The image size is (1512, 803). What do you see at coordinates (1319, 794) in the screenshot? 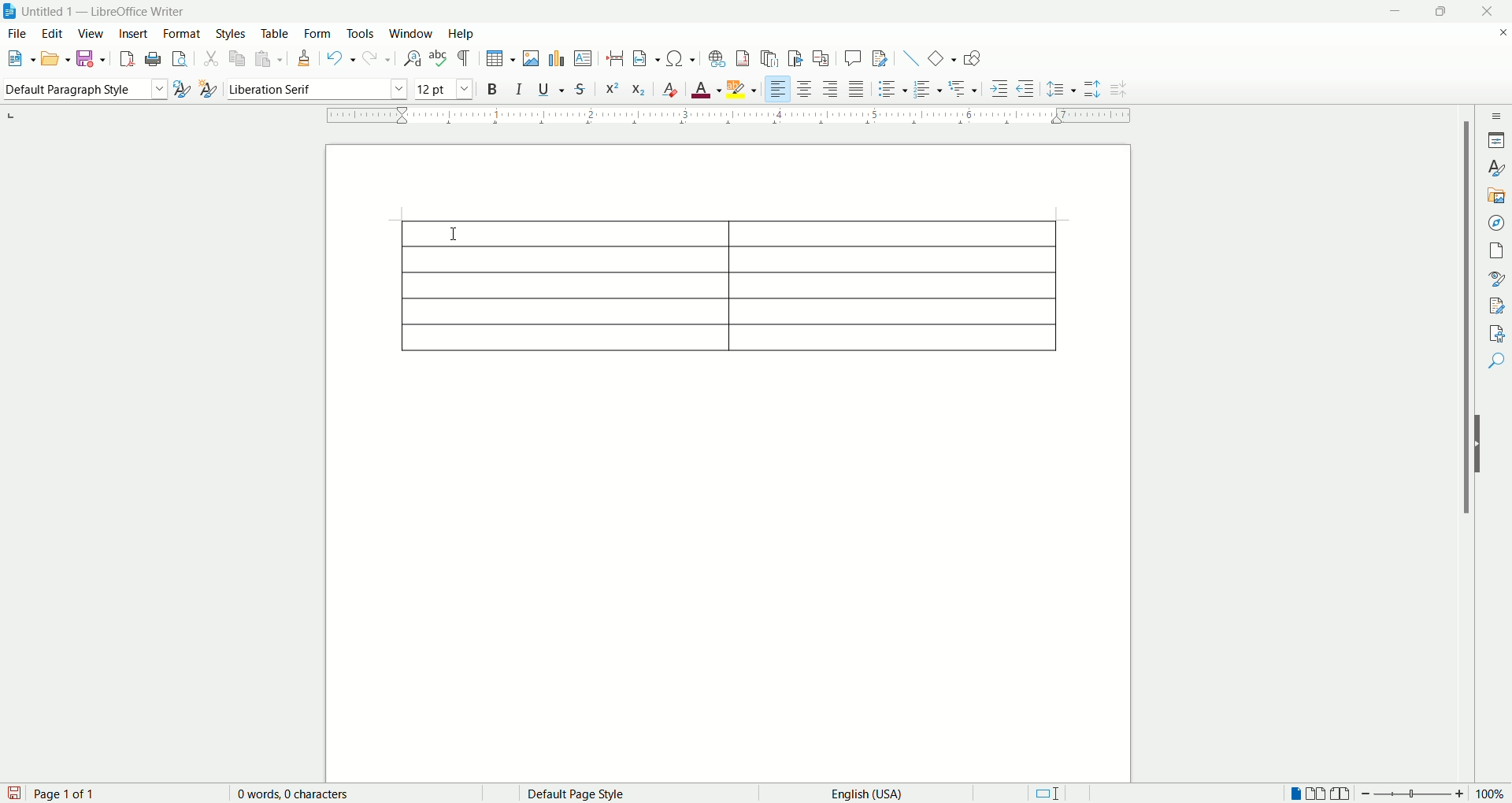
I see `double page view` at bounding box center [1319, 794].